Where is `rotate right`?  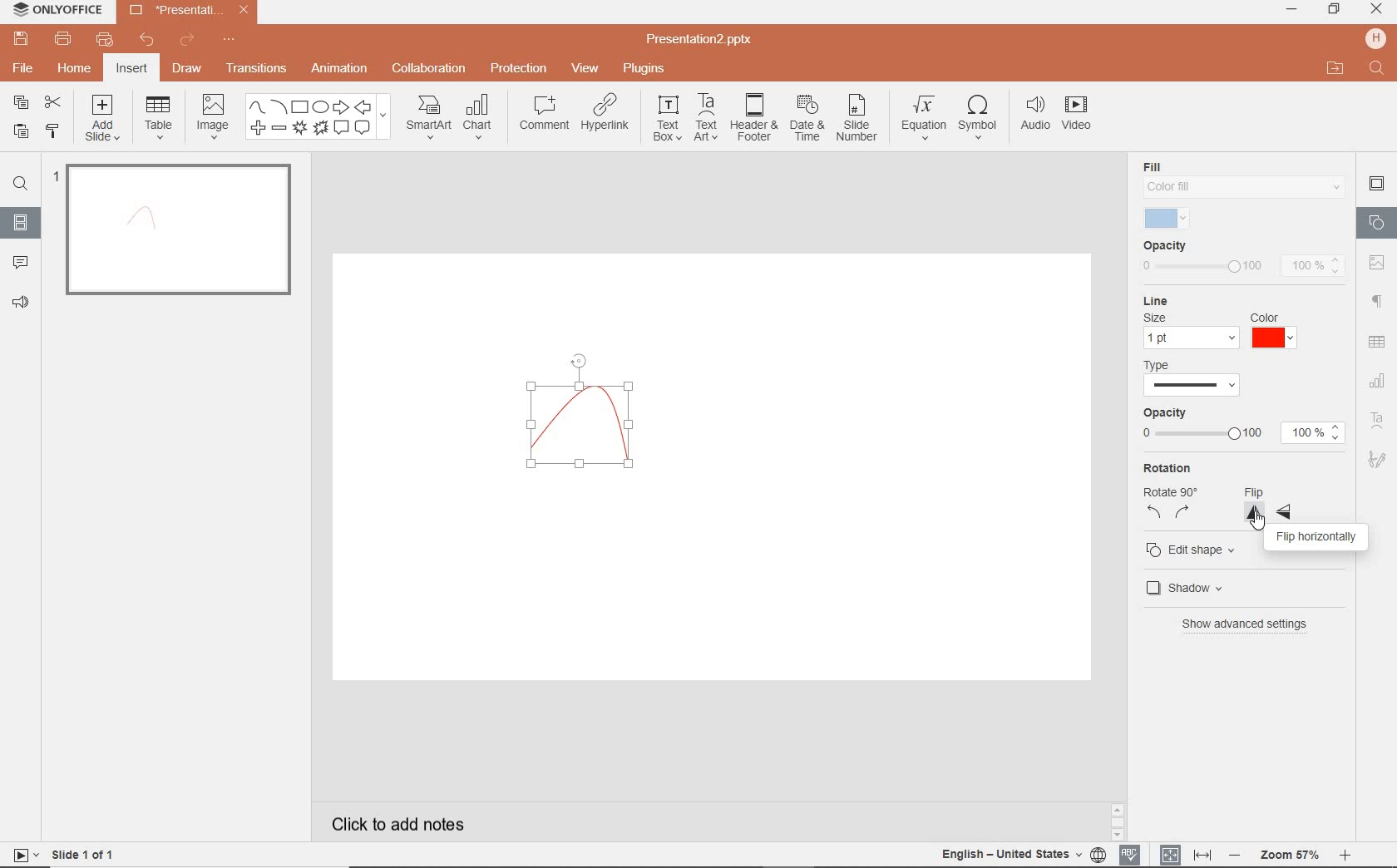 rotate right is located at coordinates (1183, 511).